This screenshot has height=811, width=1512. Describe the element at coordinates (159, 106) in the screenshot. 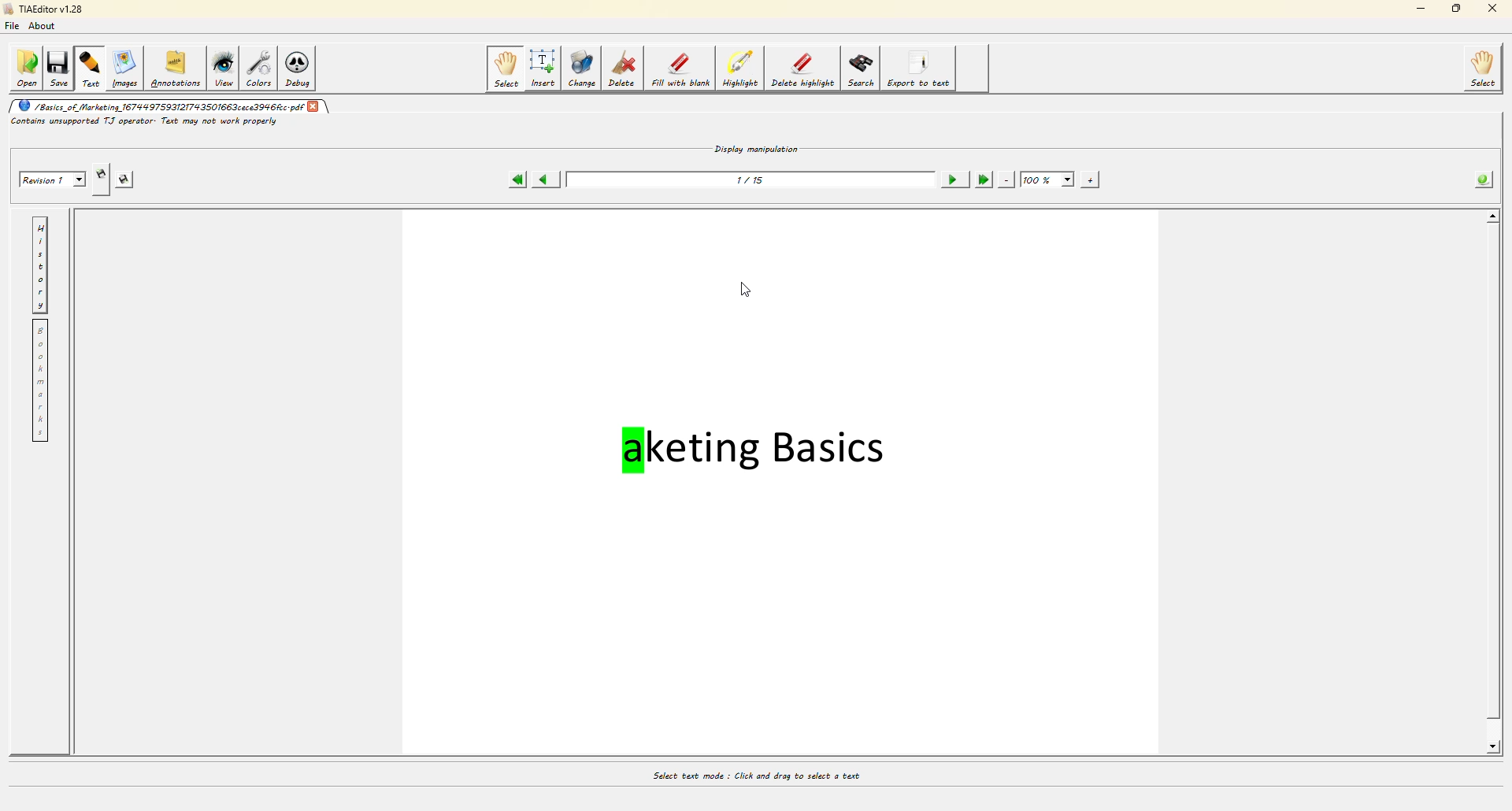

I see `filename` at that location.